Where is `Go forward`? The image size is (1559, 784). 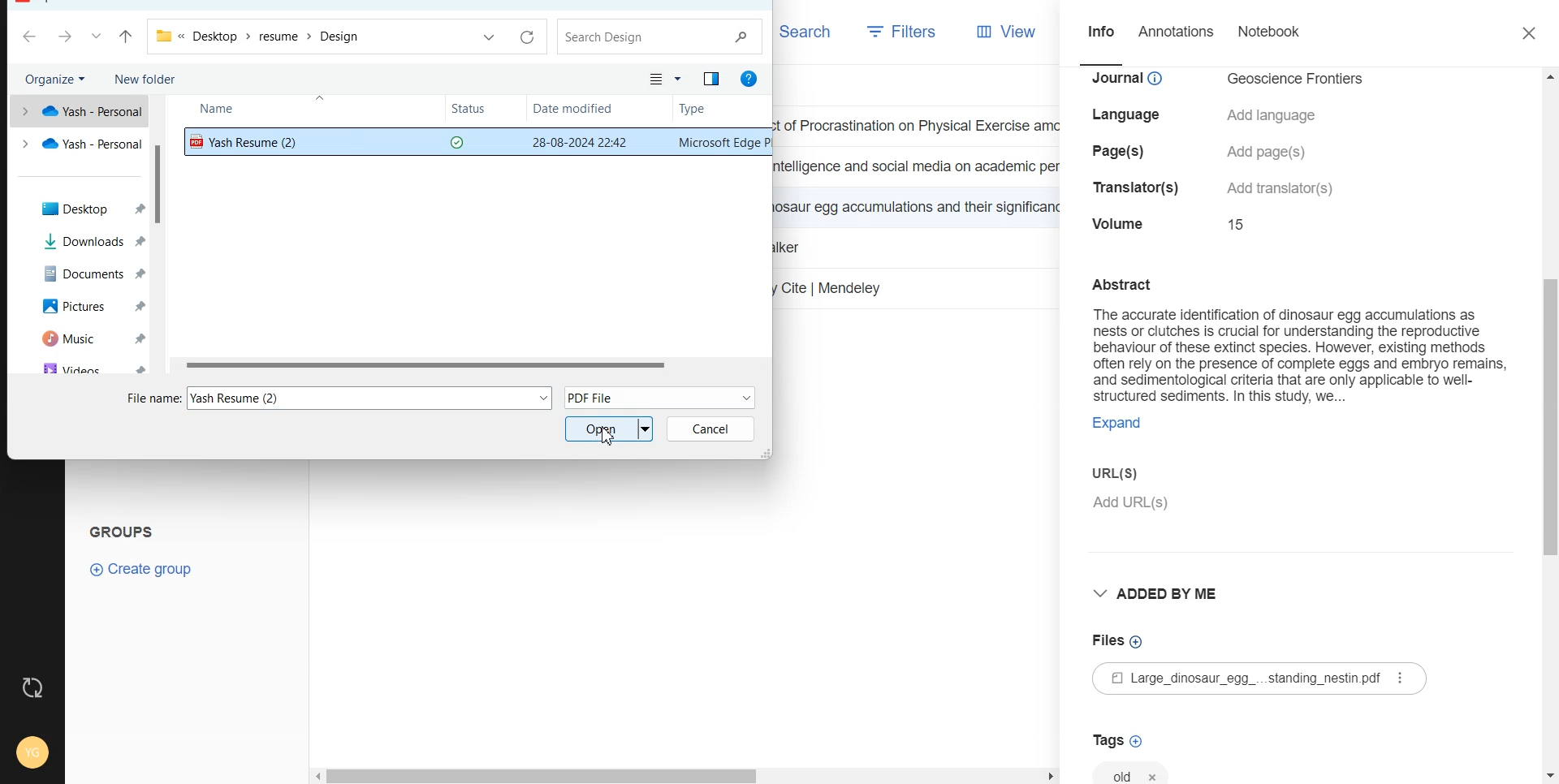
Go forward is located at coordinates (66, 38).